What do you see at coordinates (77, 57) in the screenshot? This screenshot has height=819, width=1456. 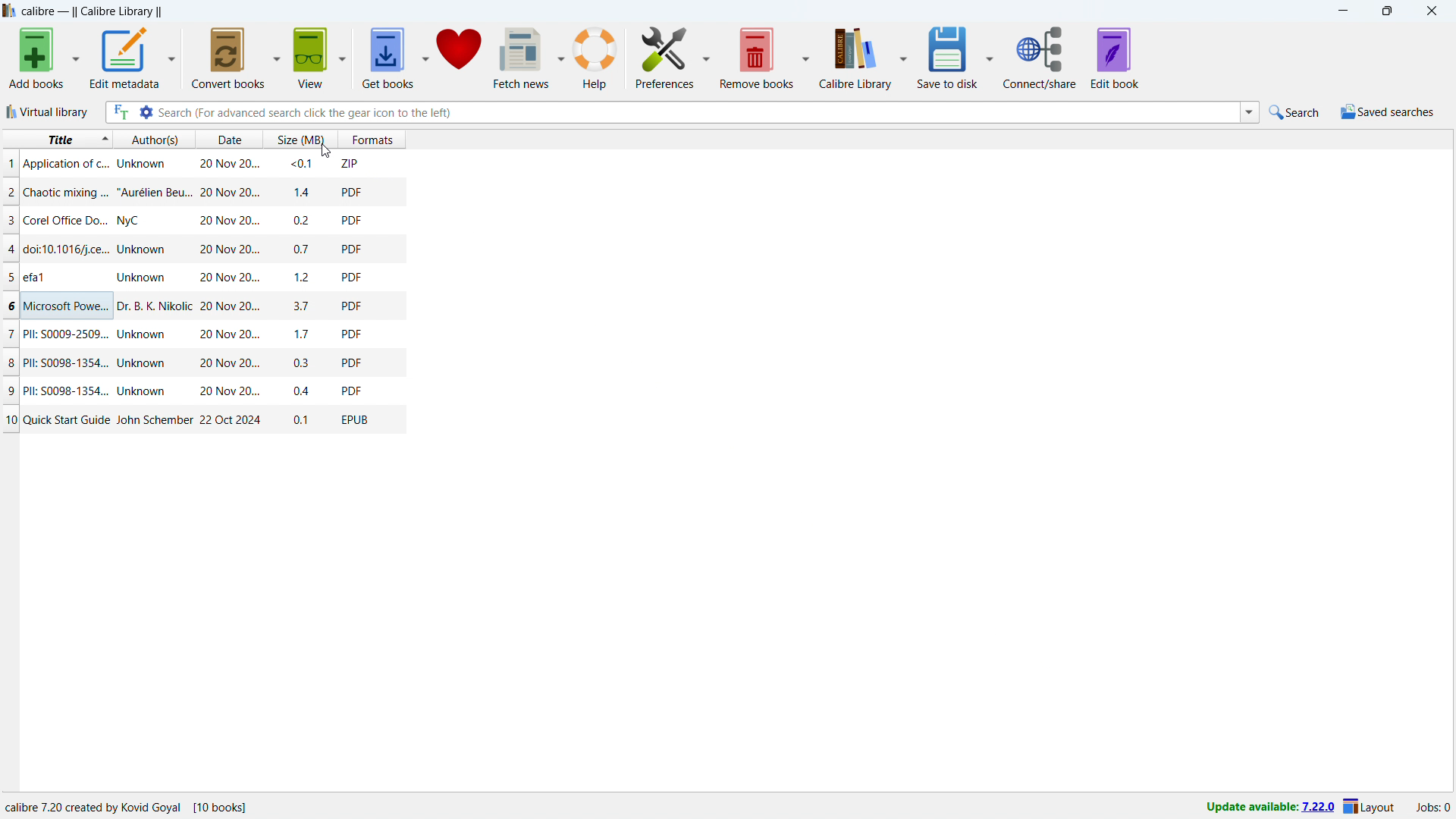 I see `add books options` at bounding box center [77, 57].